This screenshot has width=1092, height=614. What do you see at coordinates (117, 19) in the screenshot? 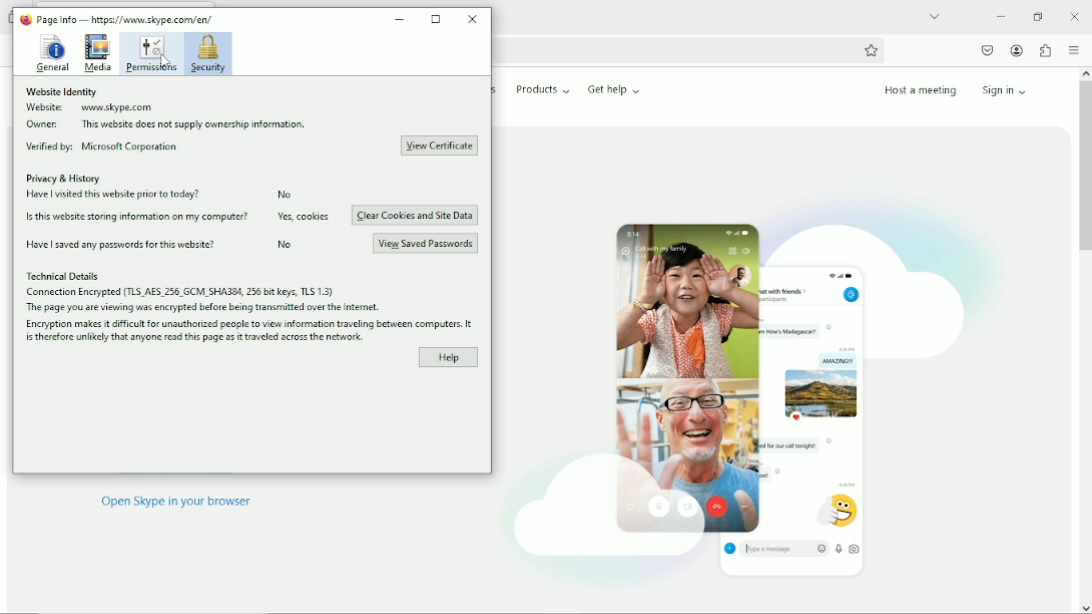
I see `Page Info — hips: www. skype com/en’` at bounding box center [117, 19].